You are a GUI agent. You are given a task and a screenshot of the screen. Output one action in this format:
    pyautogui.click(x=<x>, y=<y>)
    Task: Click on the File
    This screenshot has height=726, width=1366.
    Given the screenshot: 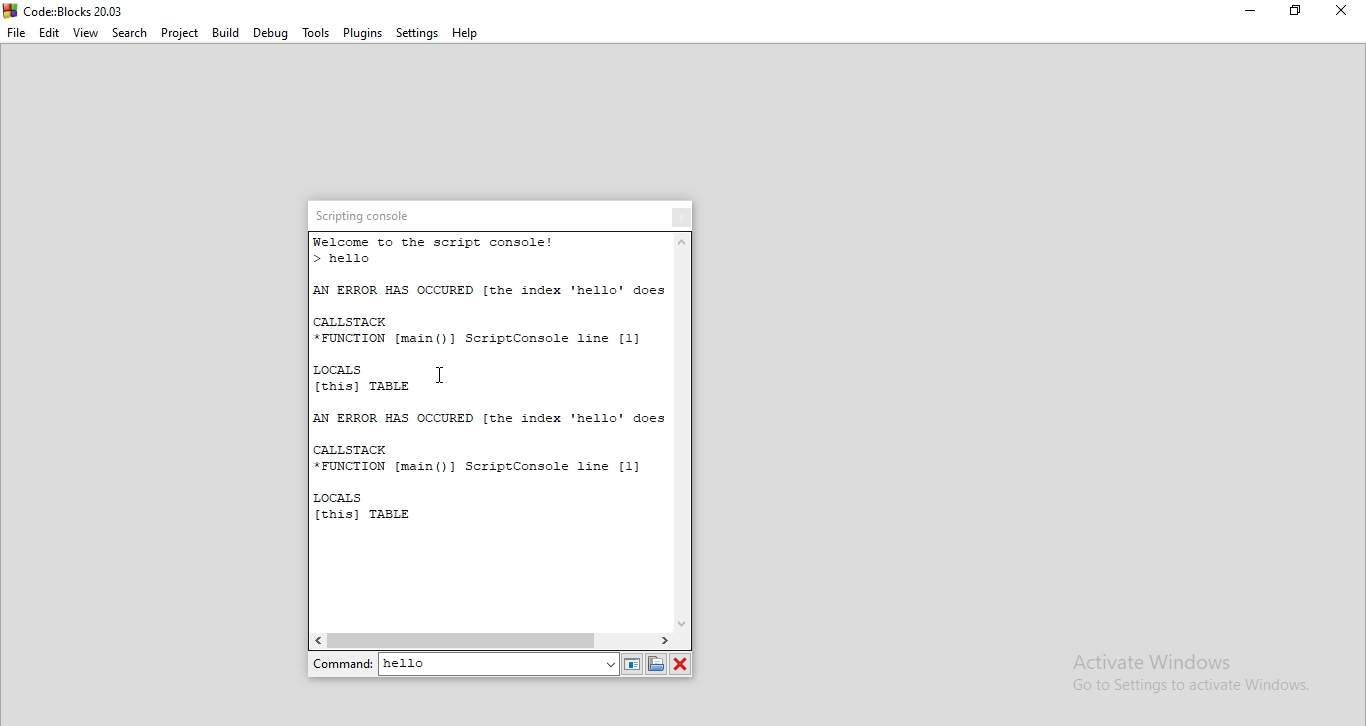 What is the action you would take?
    pyautogui.click(x=16, y=33)
    